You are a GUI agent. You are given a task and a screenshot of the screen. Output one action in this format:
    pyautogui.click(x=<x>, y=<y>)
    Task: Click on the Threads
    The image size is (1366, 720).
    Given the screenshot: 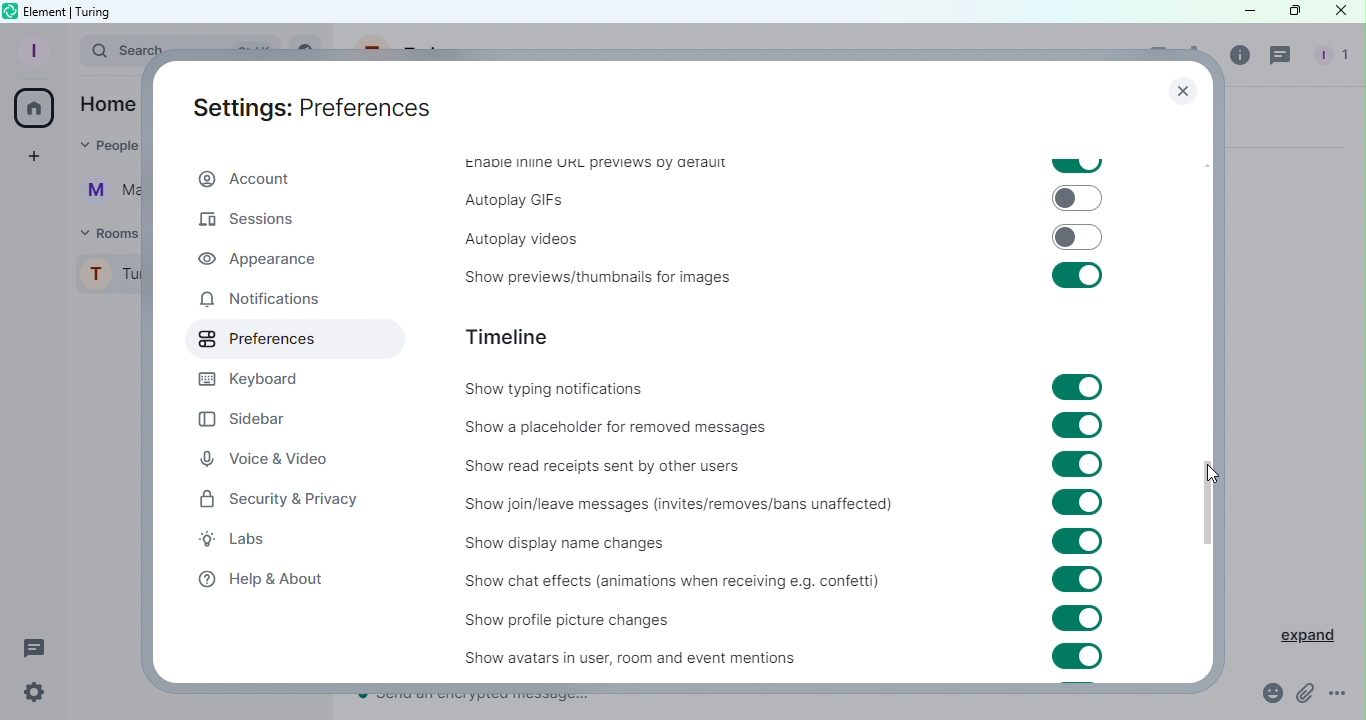 What is the action you would take?
    pyautogui.click(x=1283, y=58)
    